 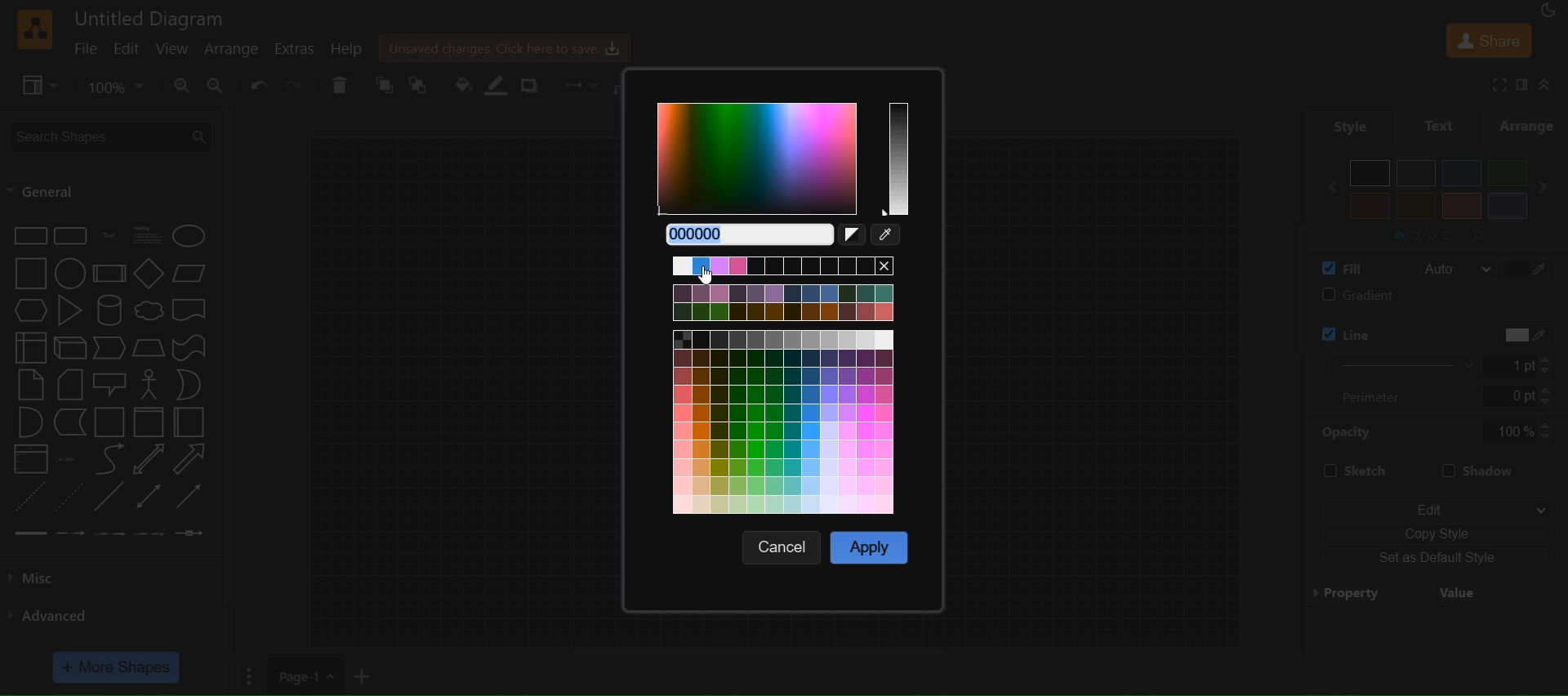 What do you see at coordinates (1285, 308) in the screenshot?
I see `scroll` at bounding box center [1285, 308].